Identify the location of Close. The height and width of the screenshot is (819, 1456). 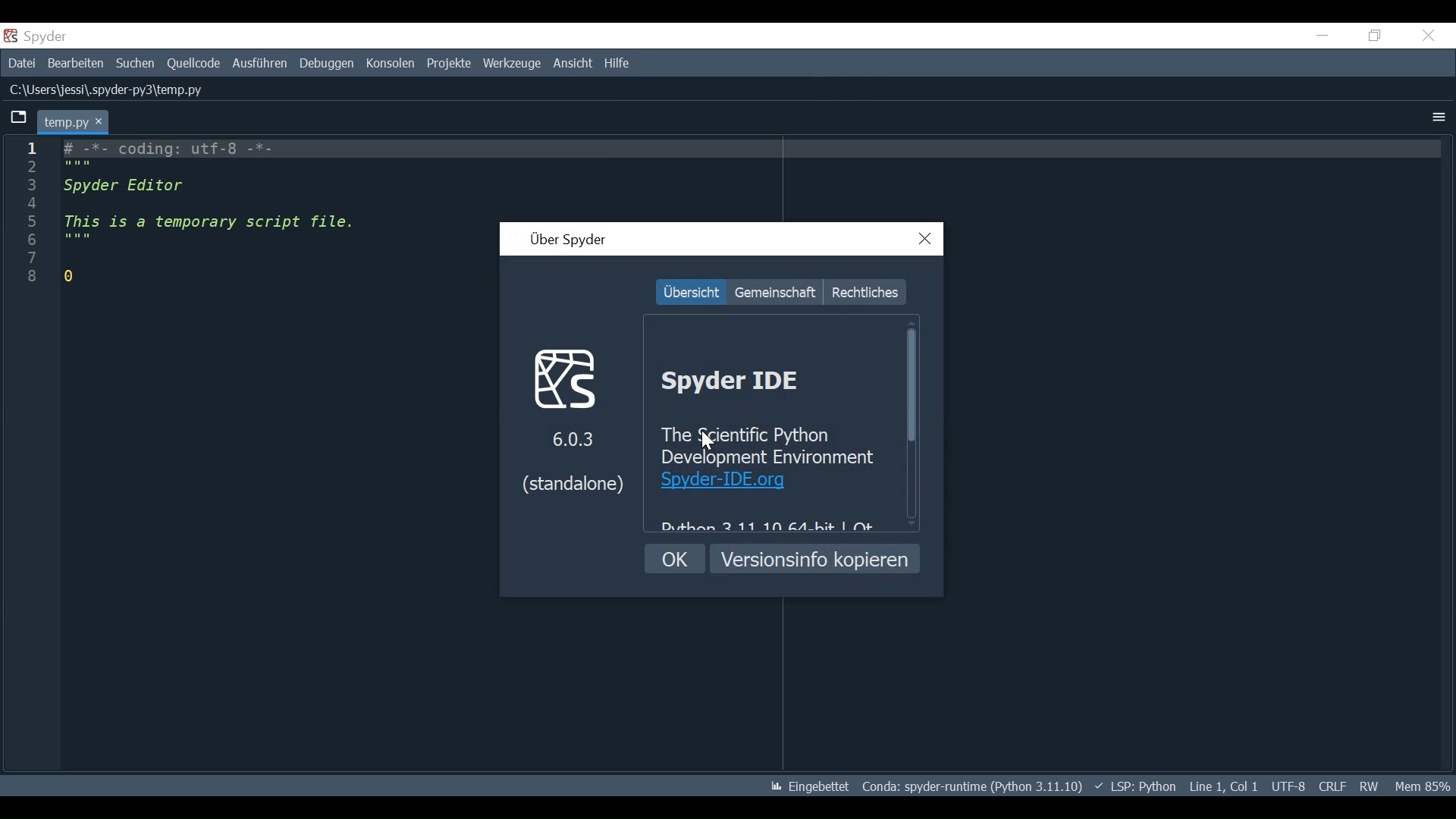
(927, 238).